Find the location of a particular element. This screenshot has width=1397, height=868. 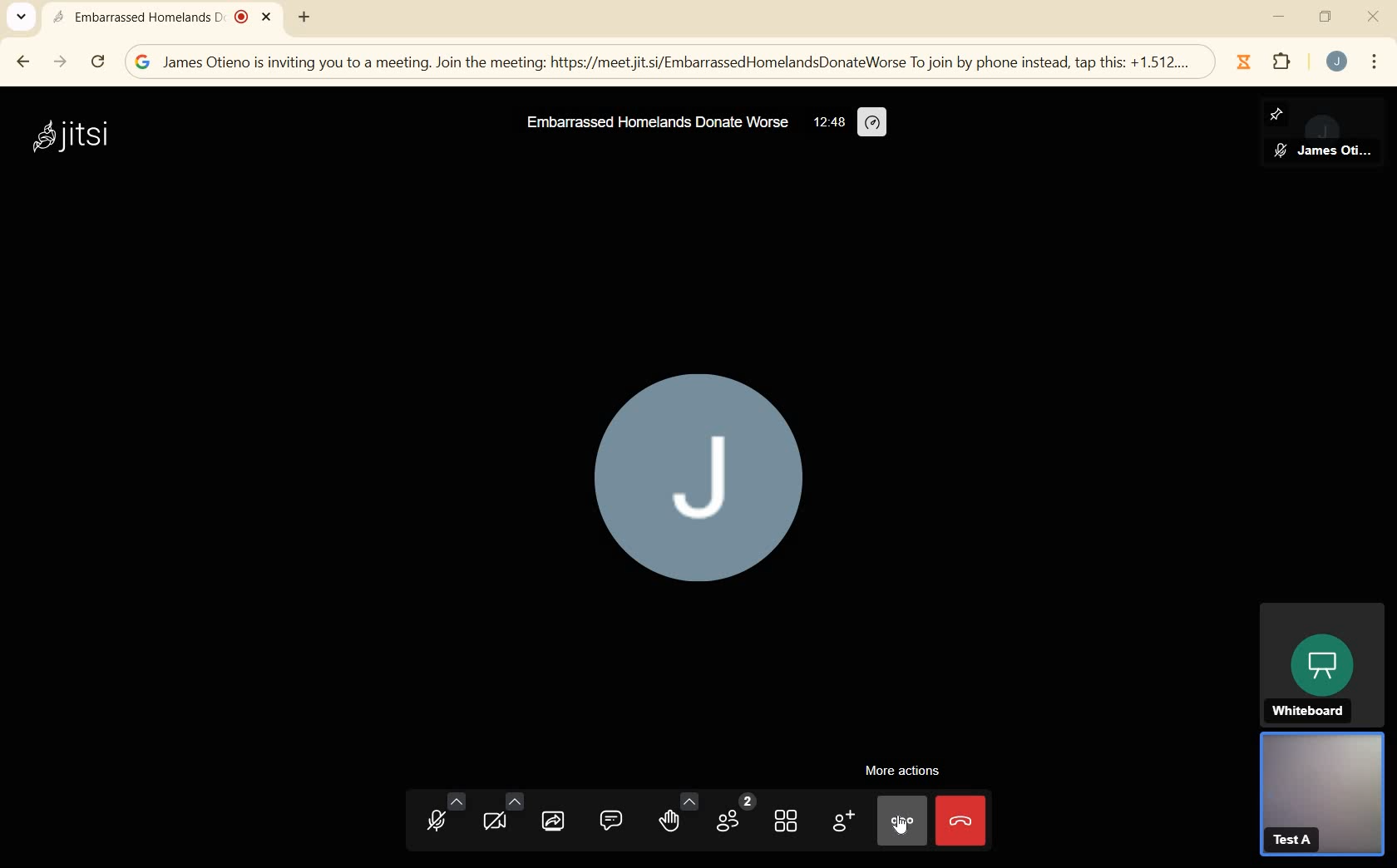

raise your hand is located at coordinates (677, 817).